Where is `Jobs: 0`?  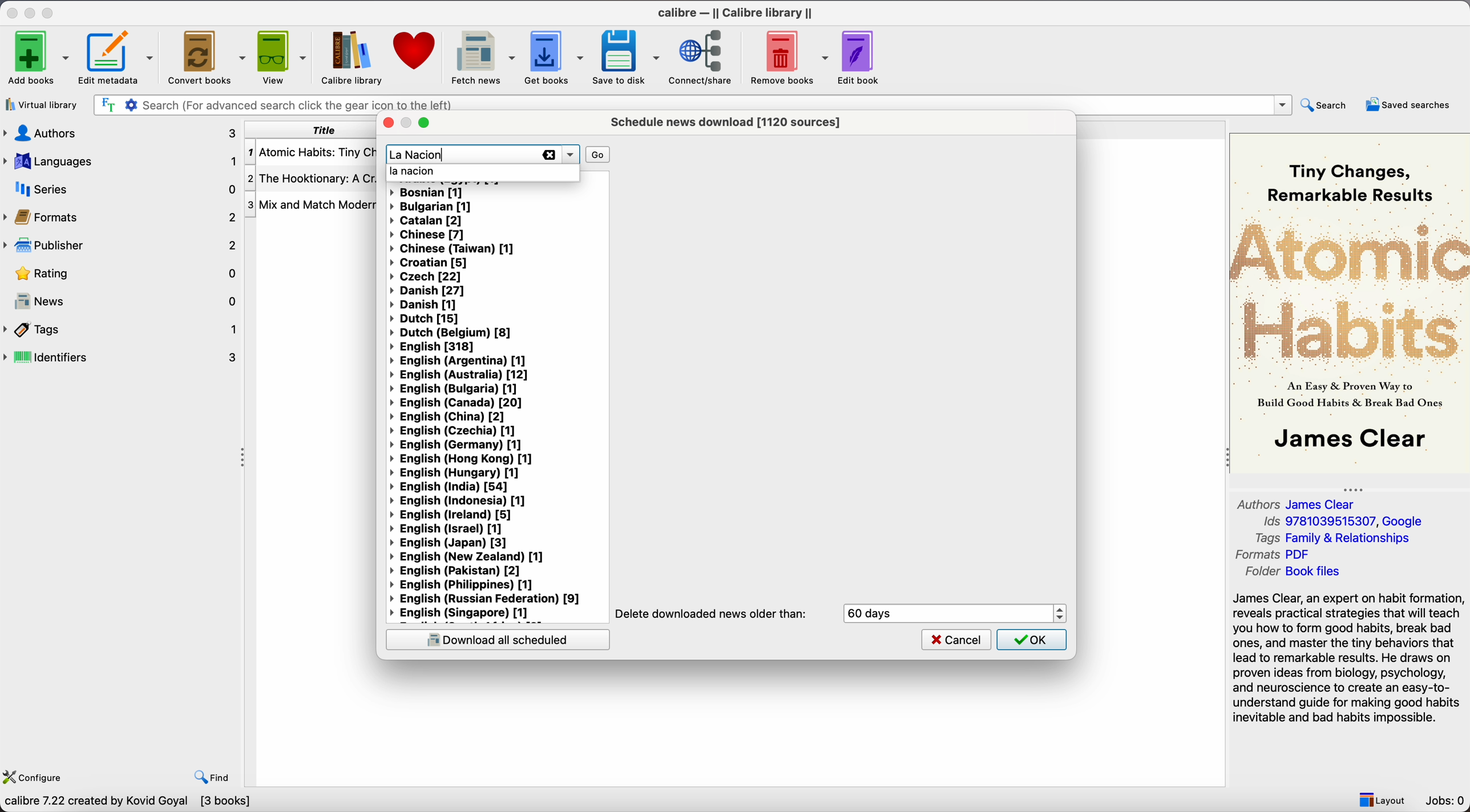 Jobs: 0 is located at coordinates (1446, 801).